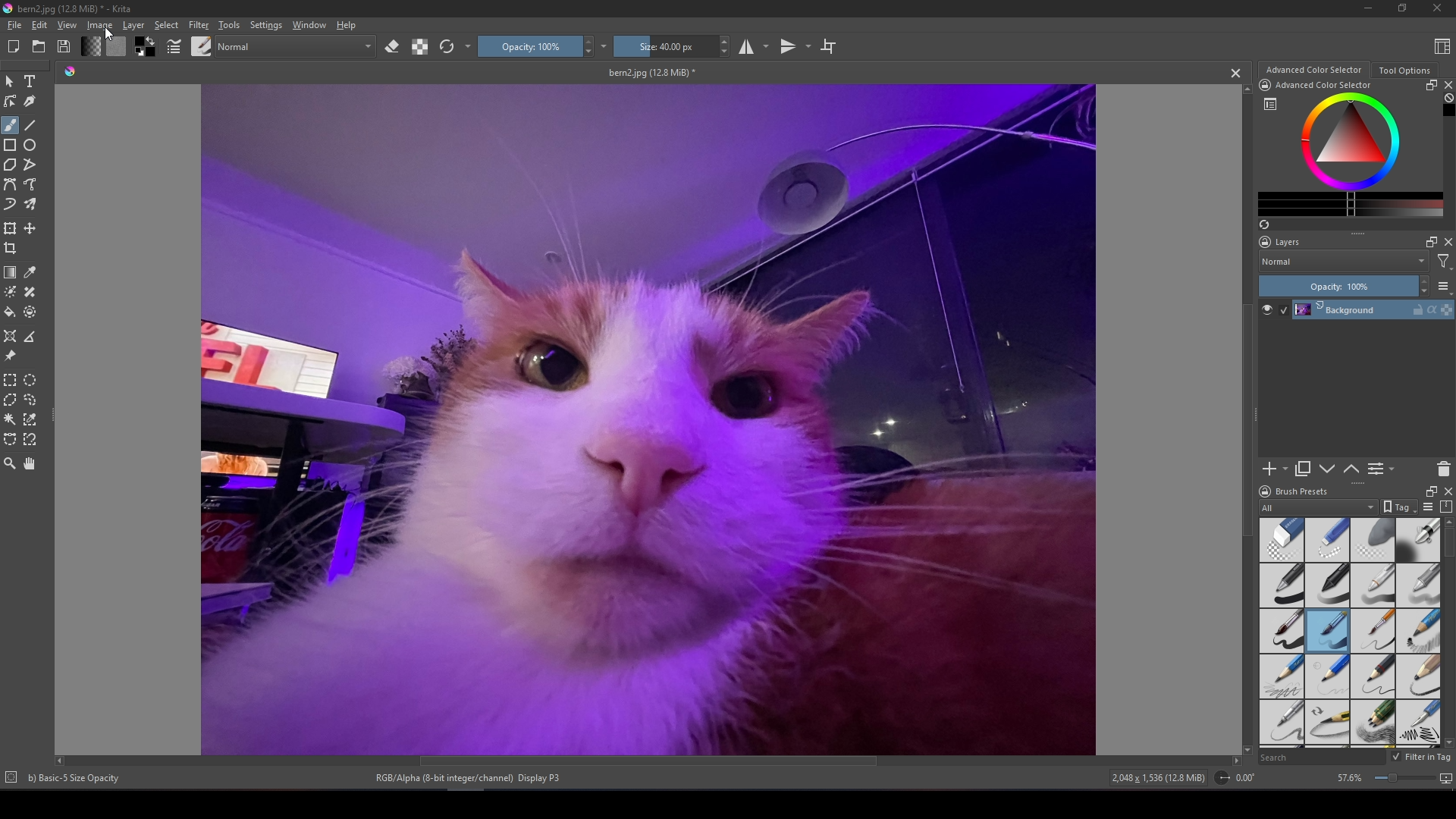 The image size is (1456, 819). I want to click on Filter in tag, so click(1422, 758).